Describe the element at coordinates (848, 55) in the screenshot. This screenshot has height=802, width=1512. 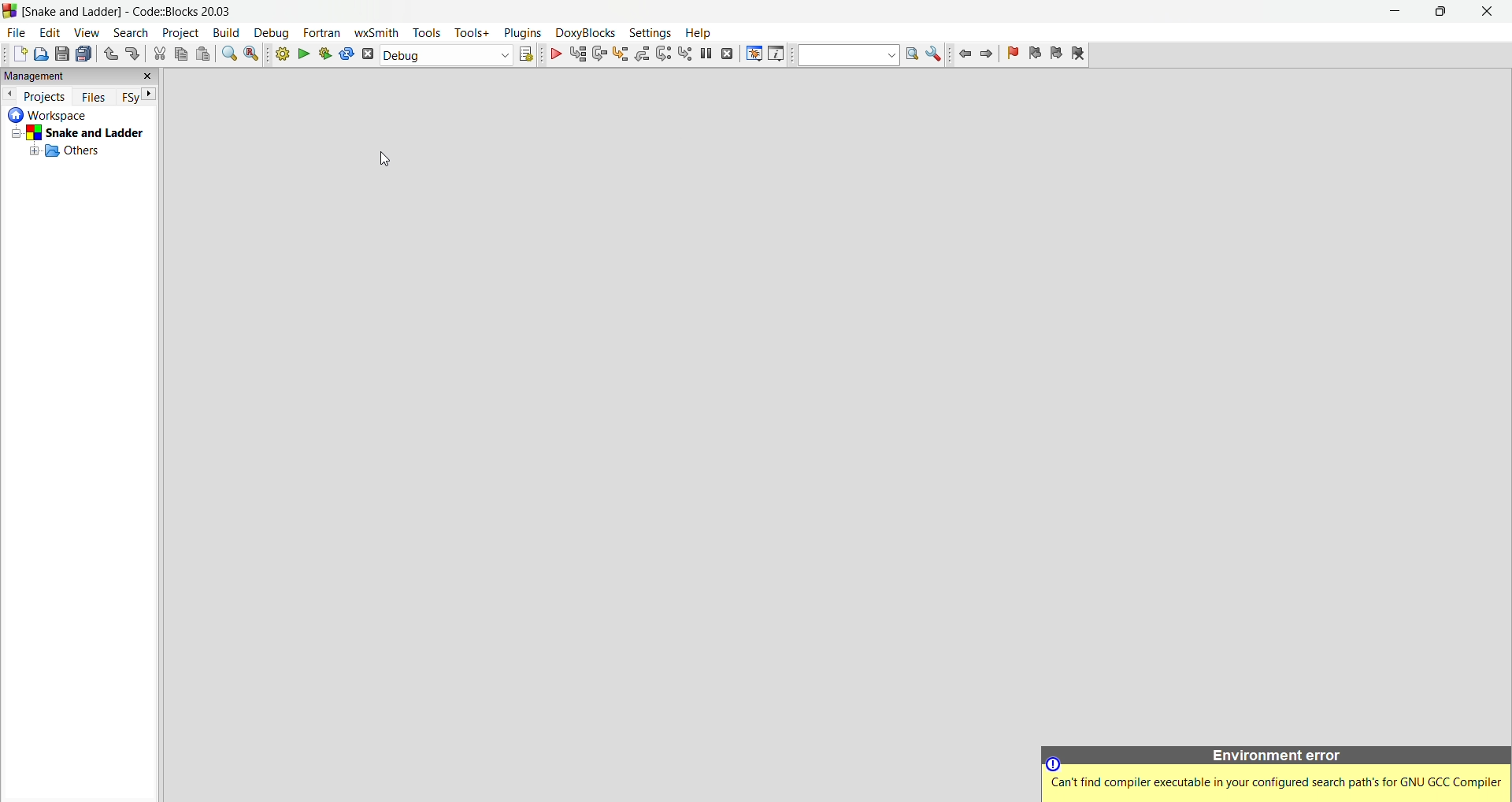
I see `text to search` at that location.